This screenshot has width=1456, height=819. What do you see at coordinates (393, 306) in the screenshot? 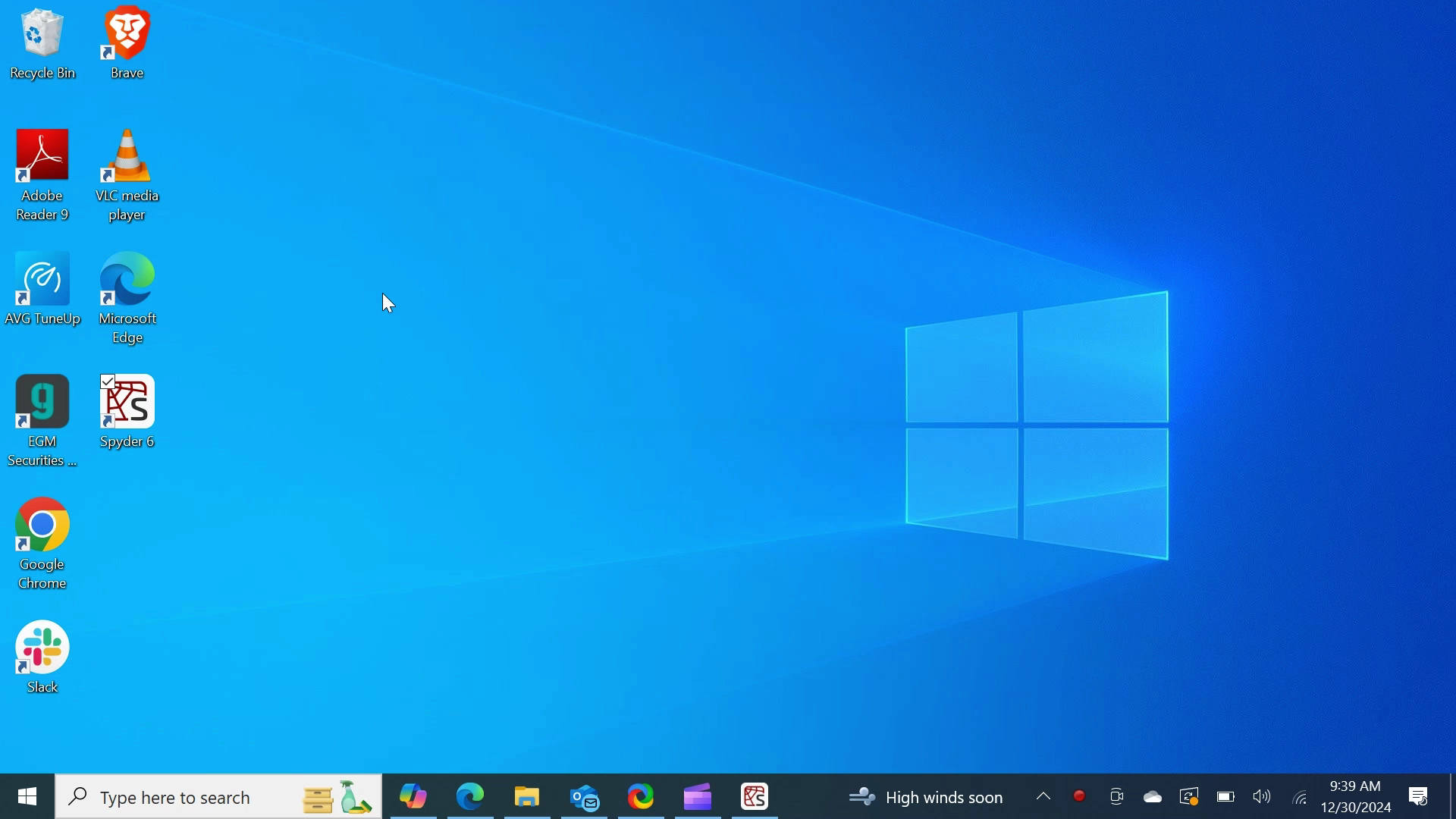
I see `Cursor` at bounding box center [393, 306].